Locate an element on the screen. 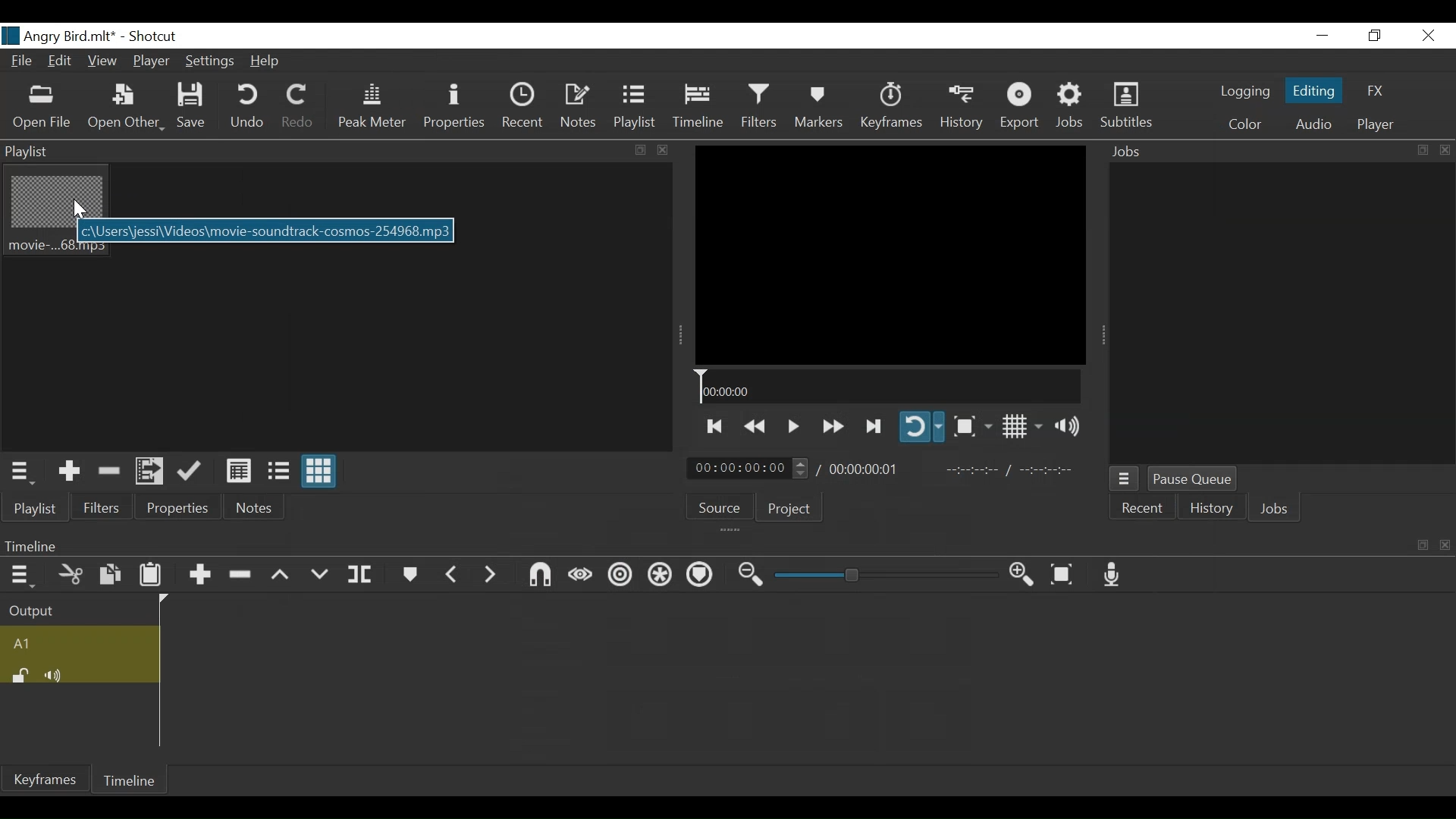 This screenshot has width=1456, height=819. Edit is located at coordinates (61, 63).